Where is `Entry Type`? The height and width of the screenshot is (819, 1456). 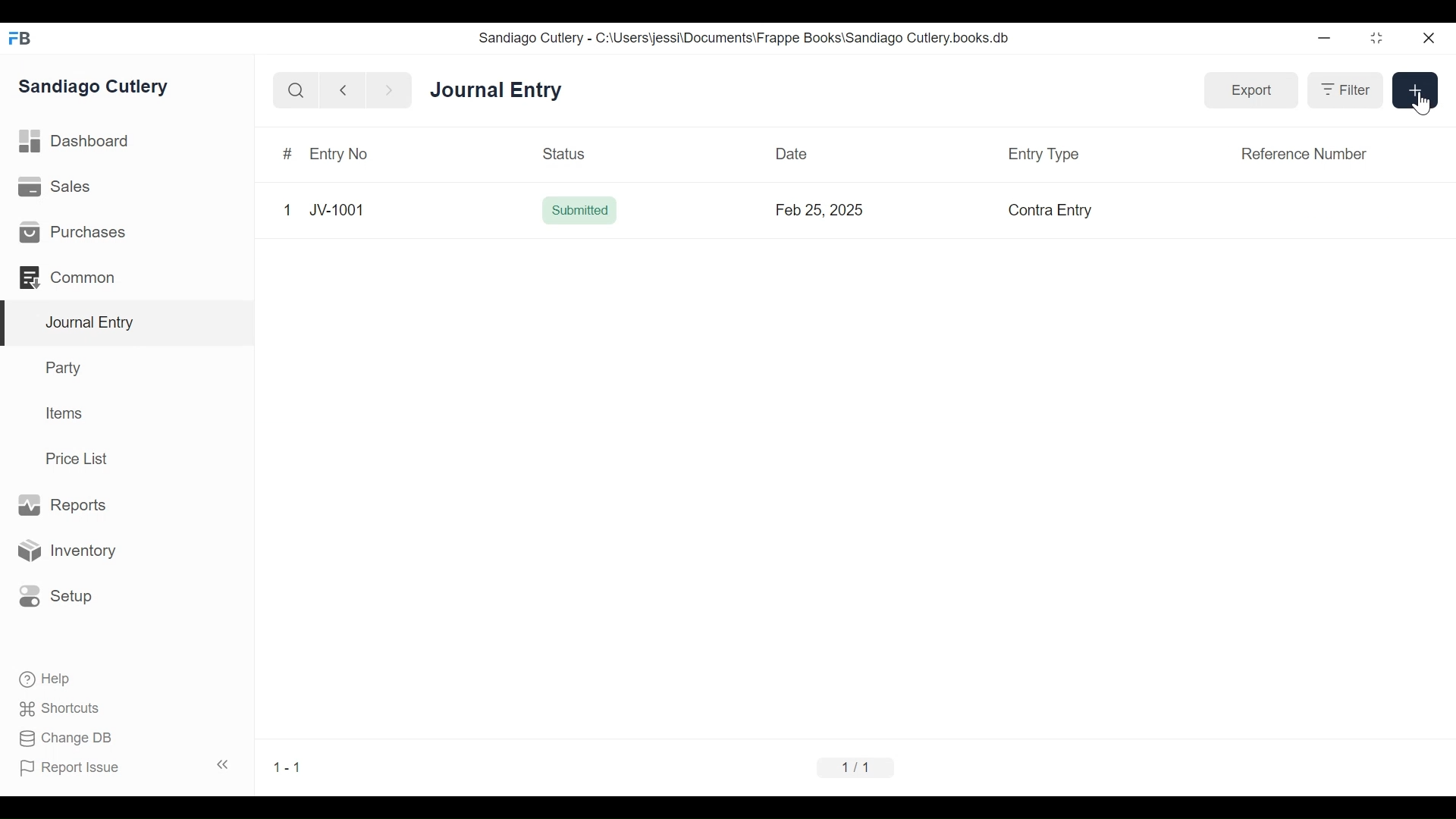 Entry Type is located at coordinates (1042, 155).